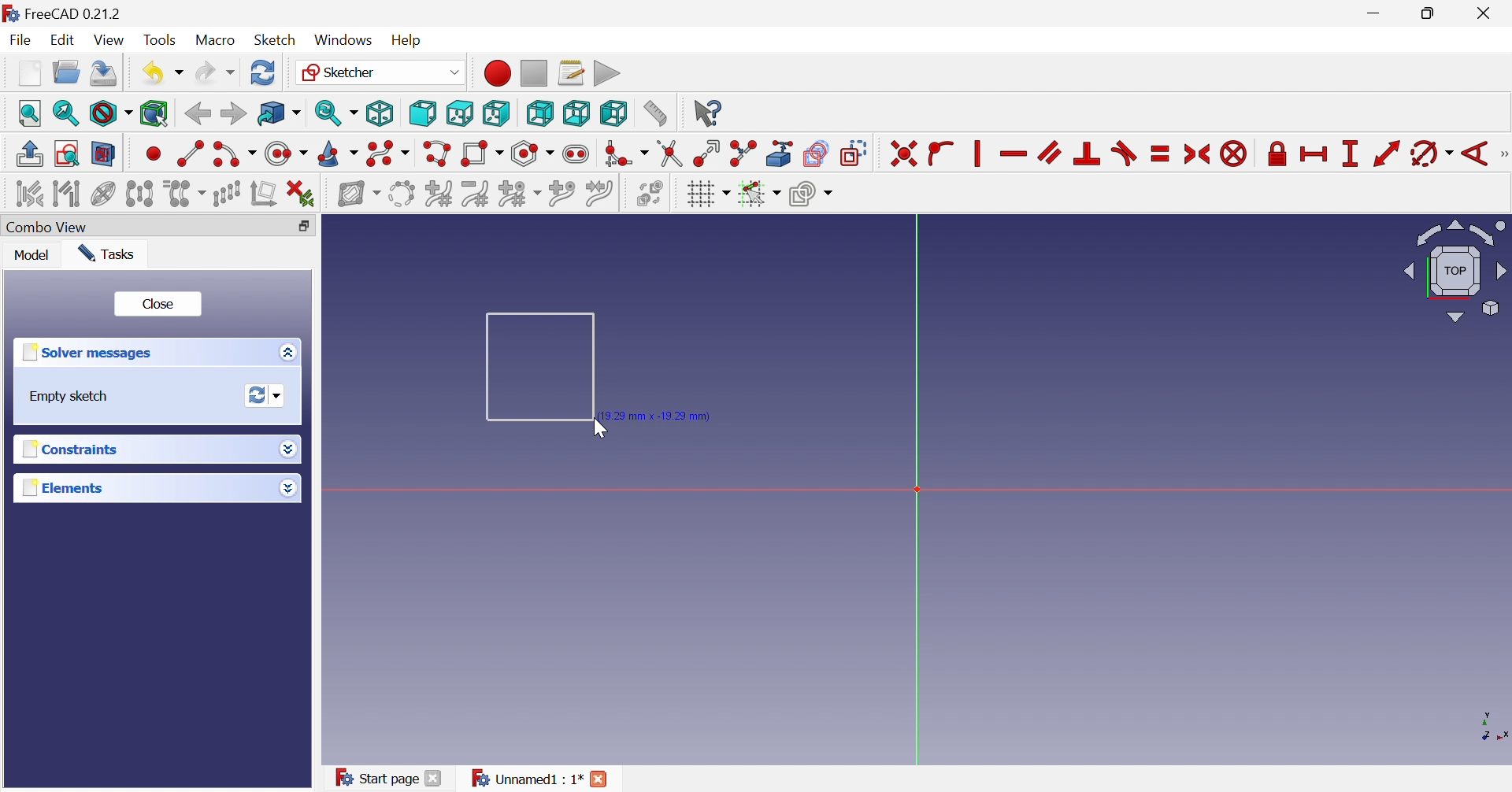  What do you see at coordinates (1233, 154) in the screenshot?
I see `Constrain block` at bounding box center [1233, 154].